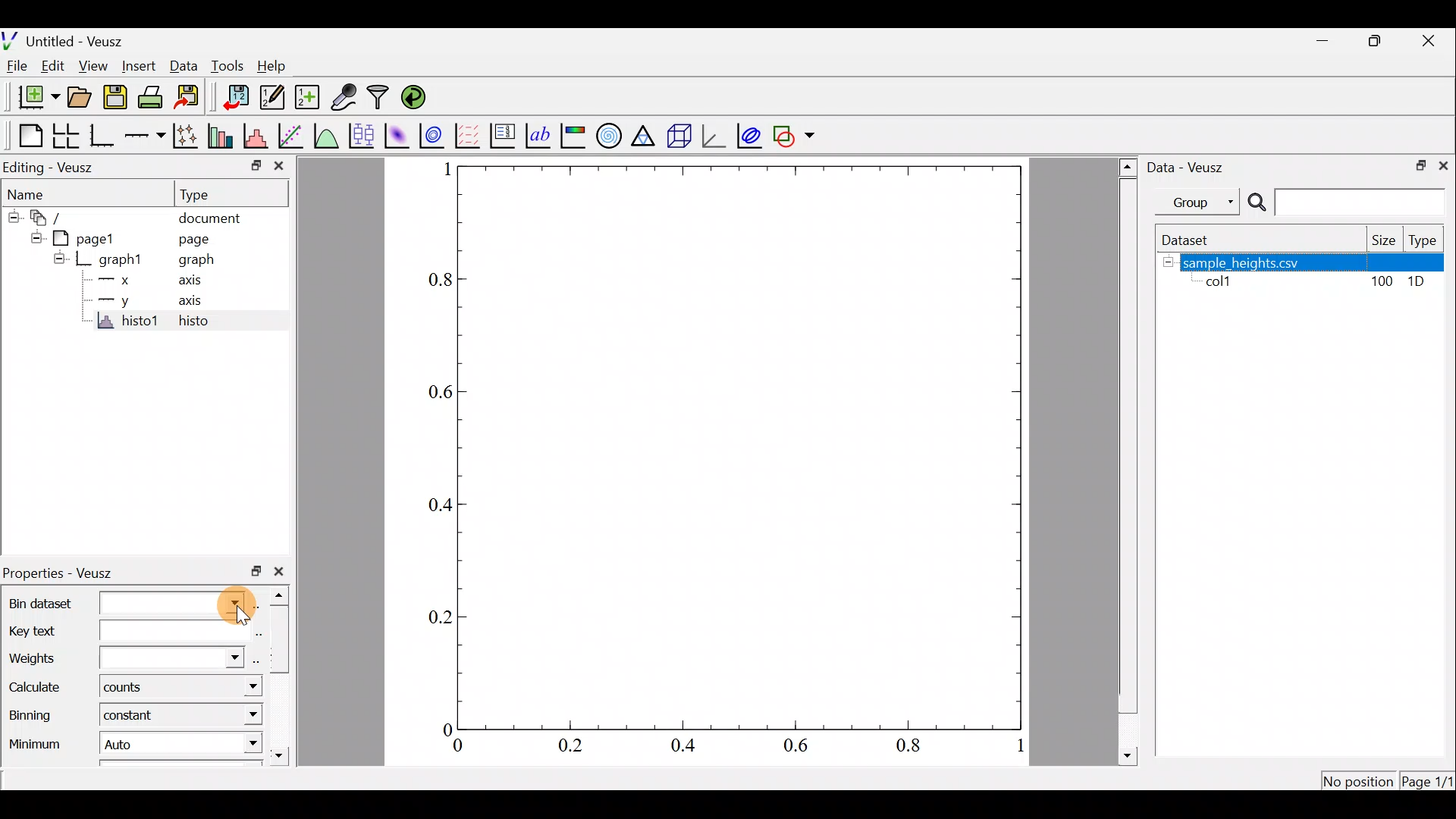 The image size is (1456, 819). I want to click on polar graph, so click(610, 135).